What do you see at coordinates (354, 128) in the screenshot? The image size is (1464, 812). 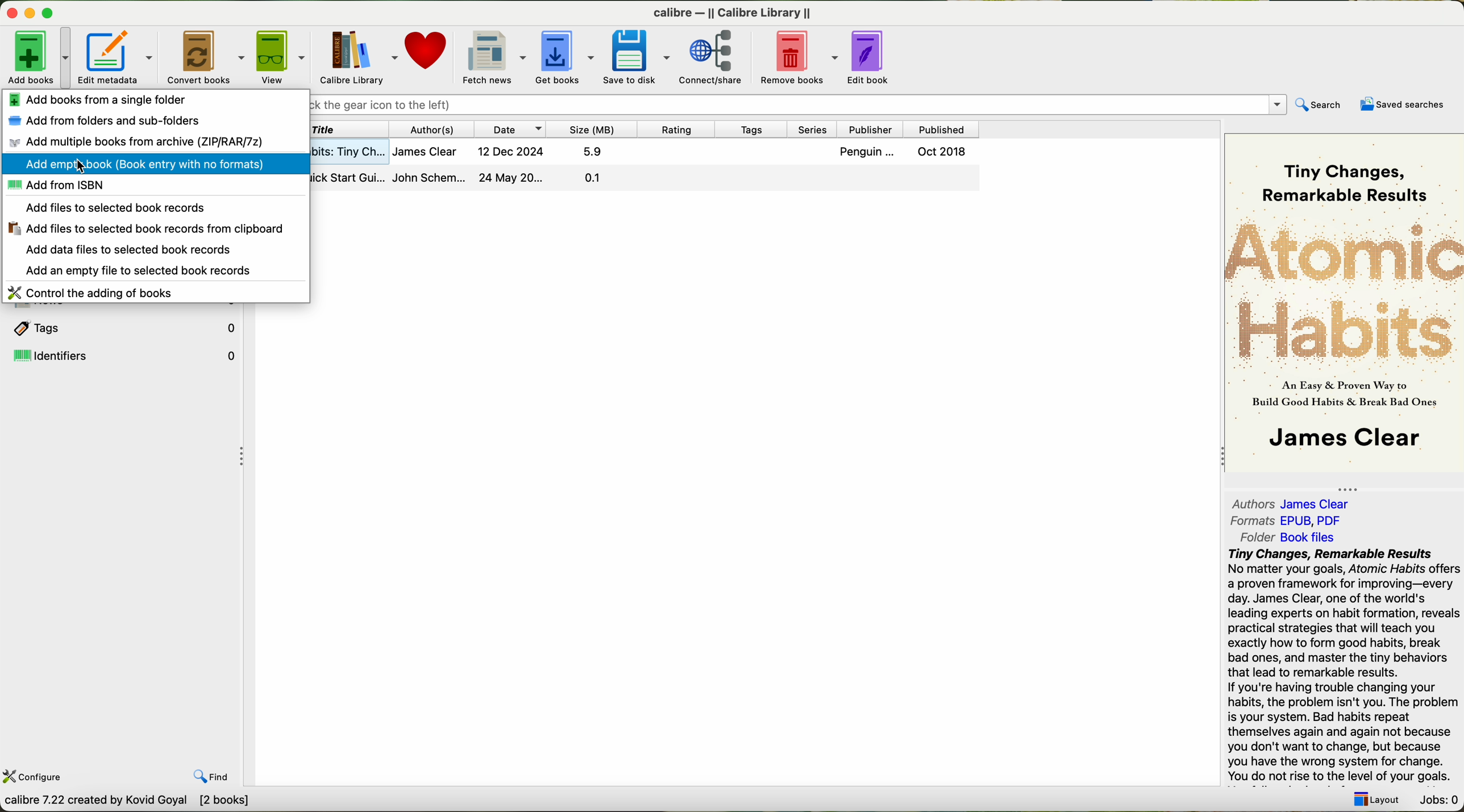 I see `title` at bounding box center [354, 128].